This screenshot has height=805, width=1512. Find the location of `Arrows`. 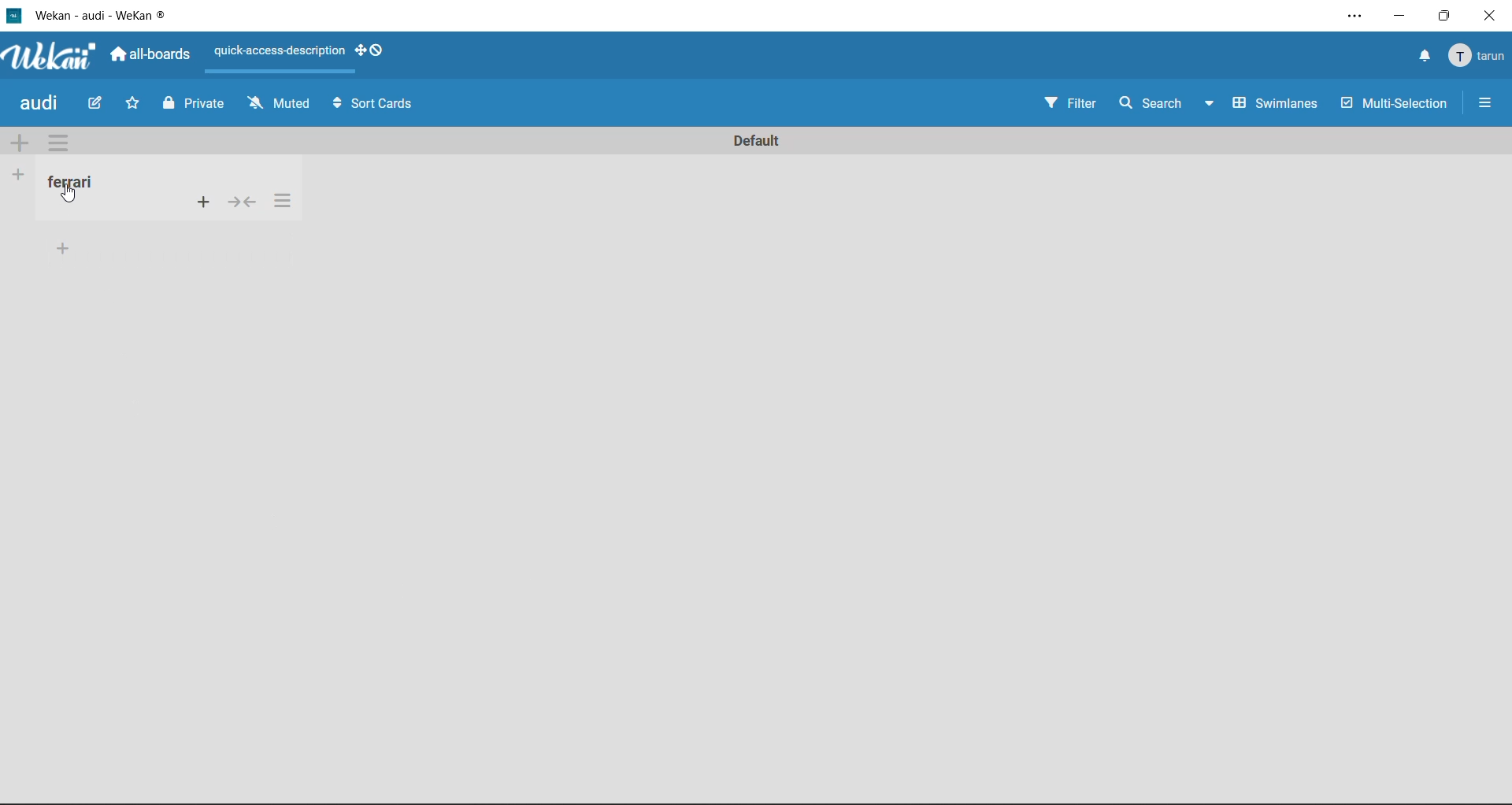

Arrows is located at coordinates (335, 102).